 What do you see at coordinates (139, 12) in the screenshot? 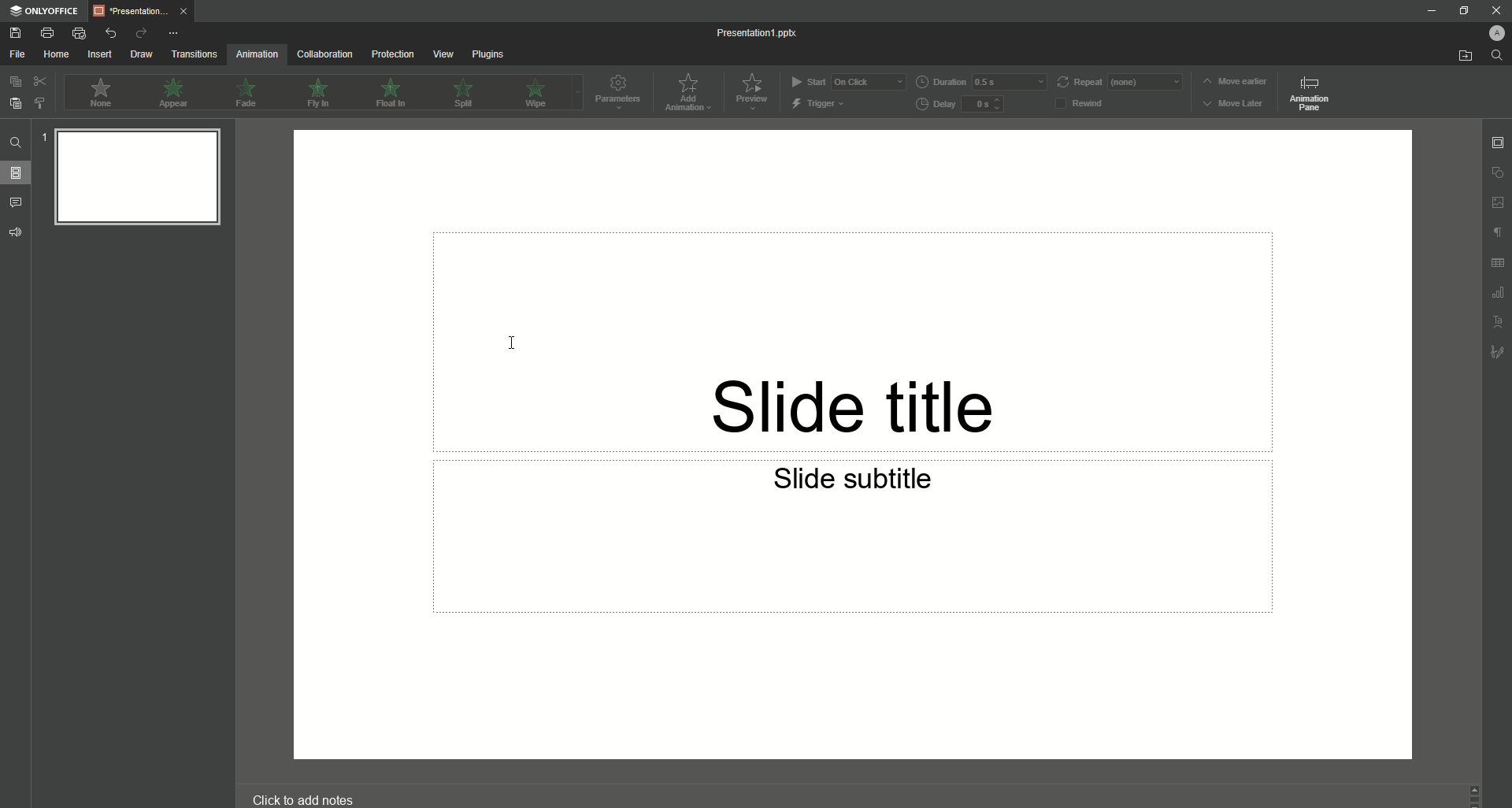
I see `Tab 1` at bounding box center [139, 12].